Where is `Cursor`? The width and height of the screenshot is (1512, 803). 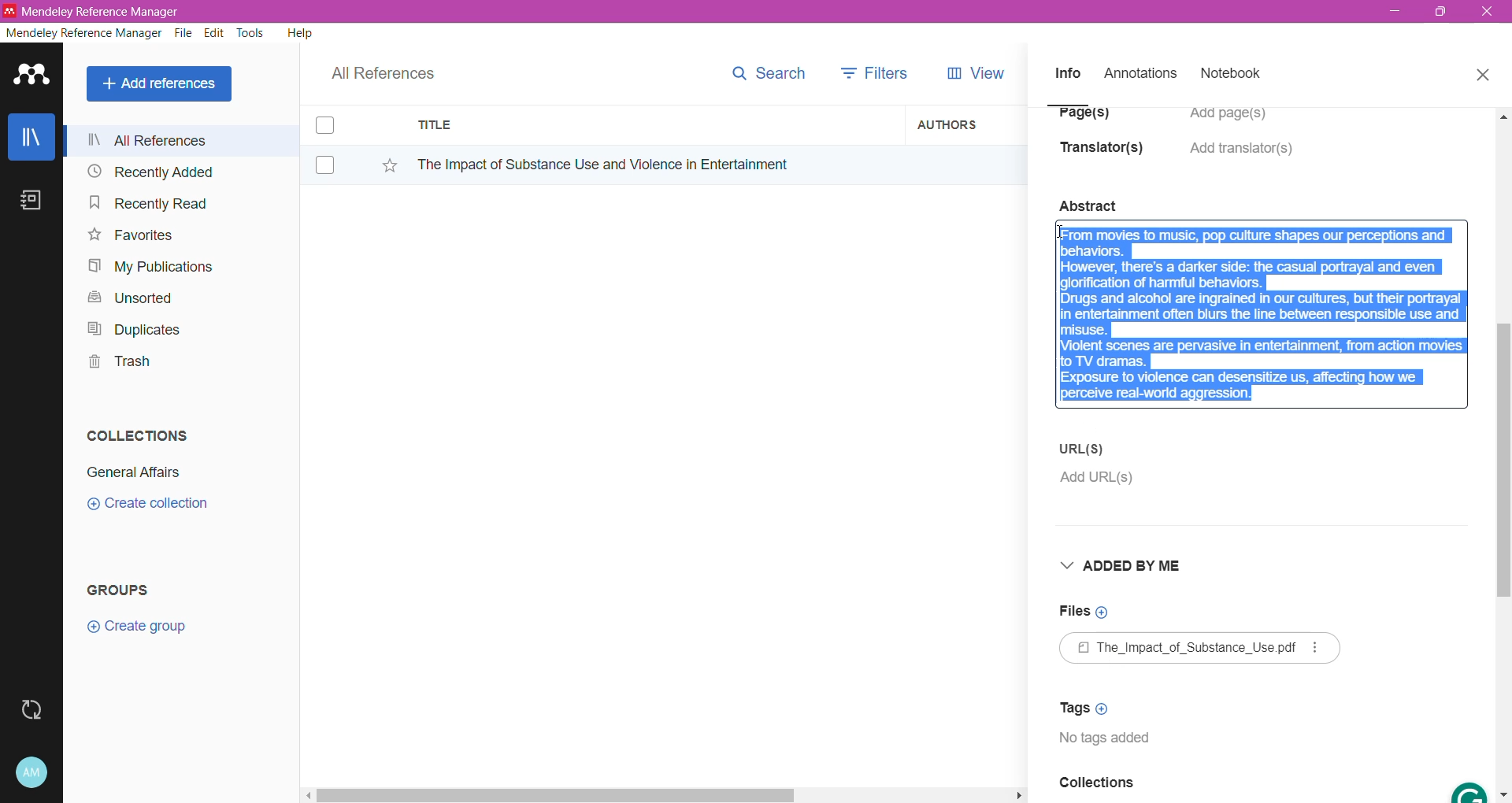
Cursor is located at coordinates (1062, 239).